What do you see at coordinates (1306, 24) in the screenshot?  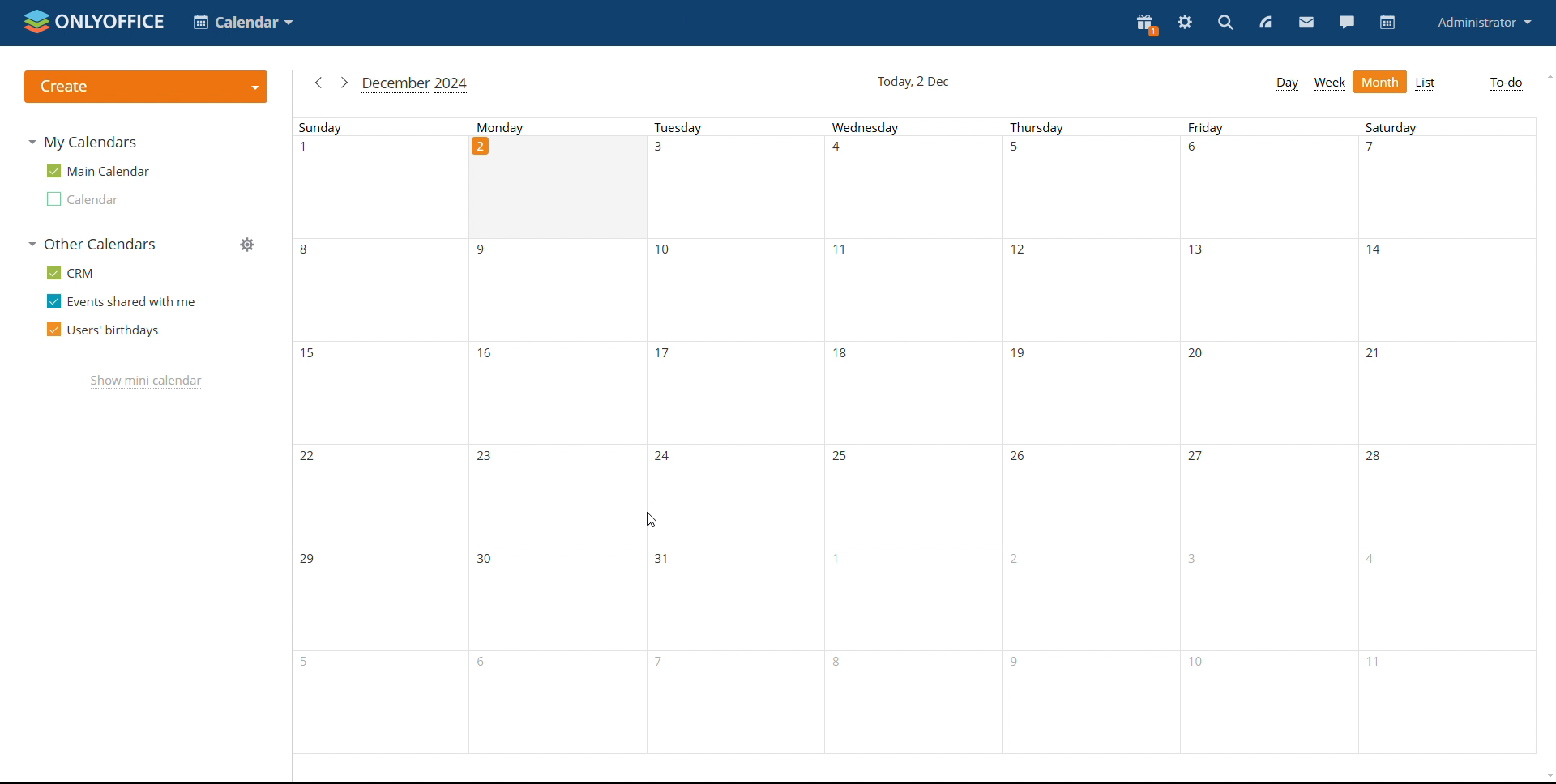 I see `mail` at bounding box center [1306, 24].